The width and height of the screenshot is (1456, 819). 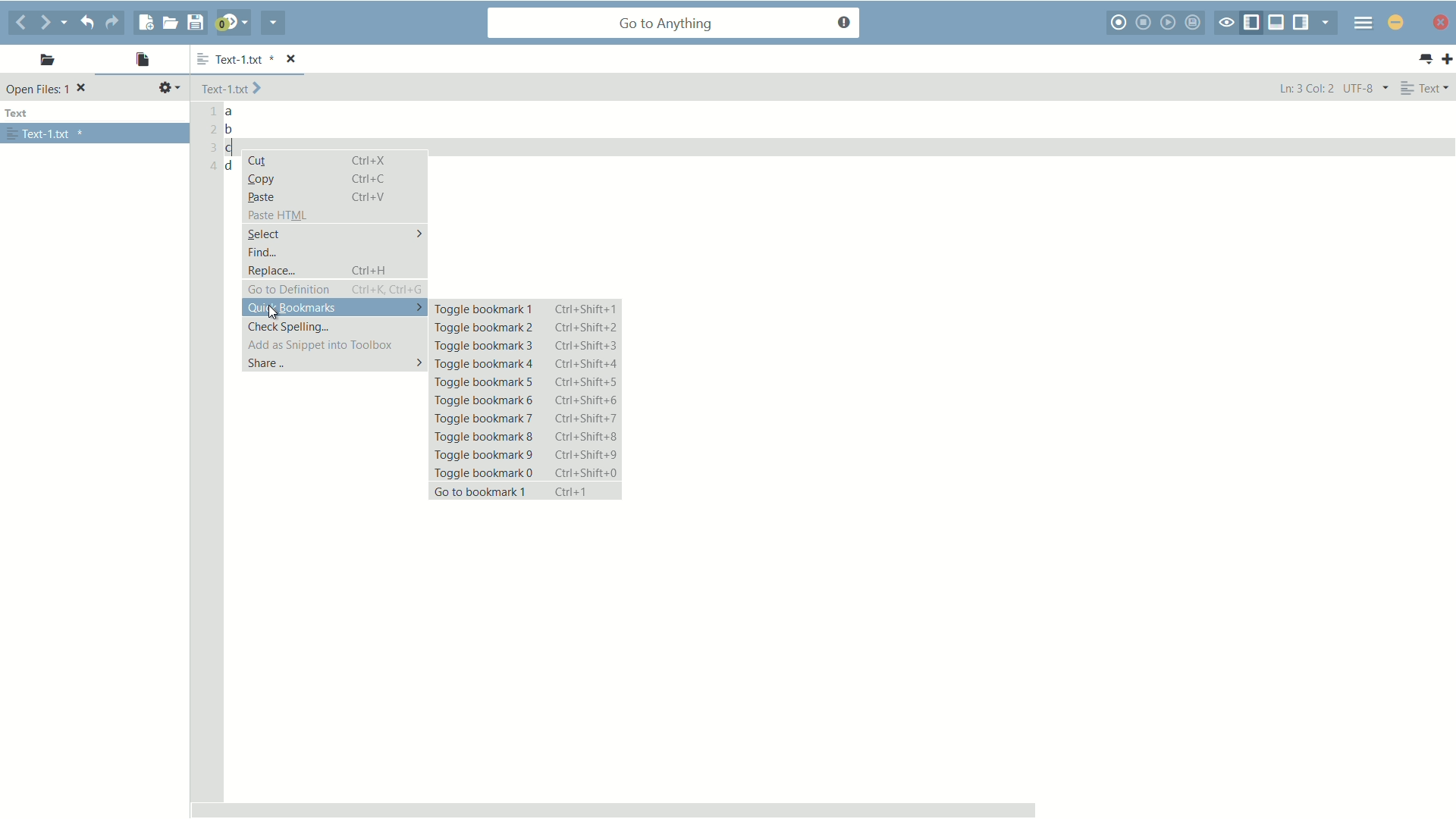 I want to click on cut ctrl+X, so click(x=322, y=162).